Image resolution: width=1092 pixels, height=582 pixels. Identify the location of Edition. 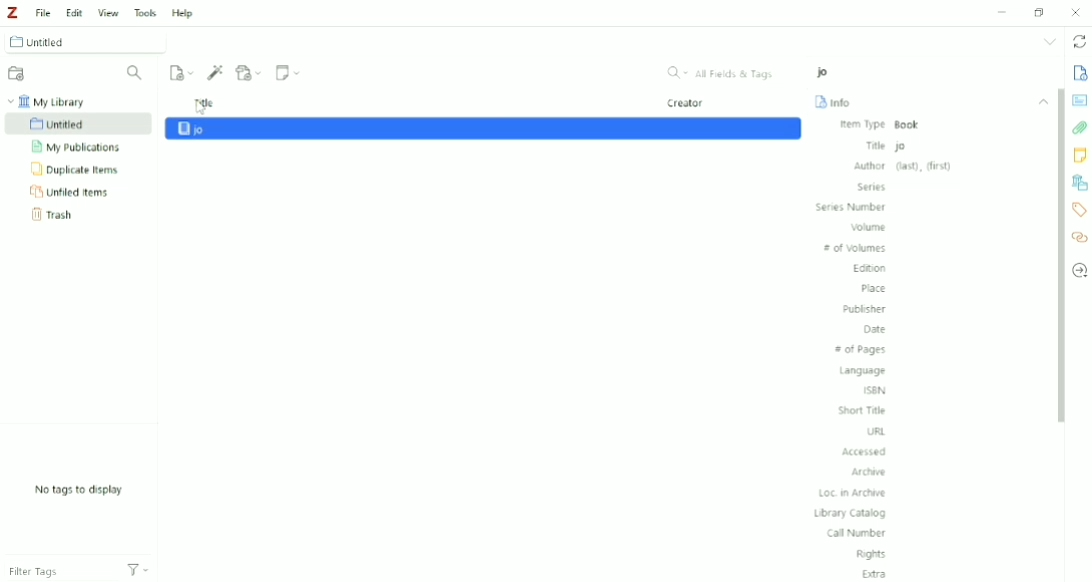
(869, 270).